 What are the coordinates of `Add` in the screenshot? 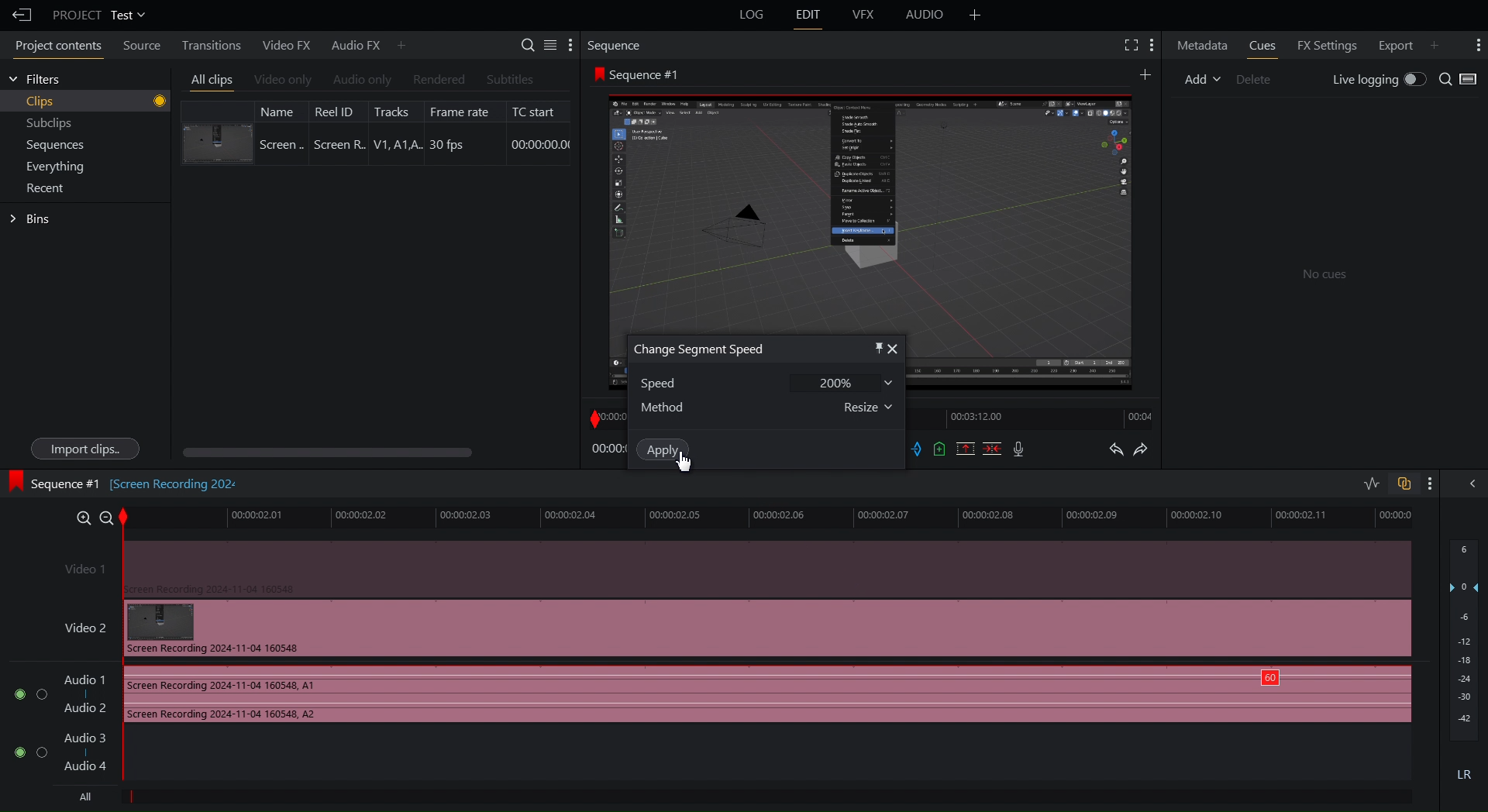 It's located at (1144, 74).